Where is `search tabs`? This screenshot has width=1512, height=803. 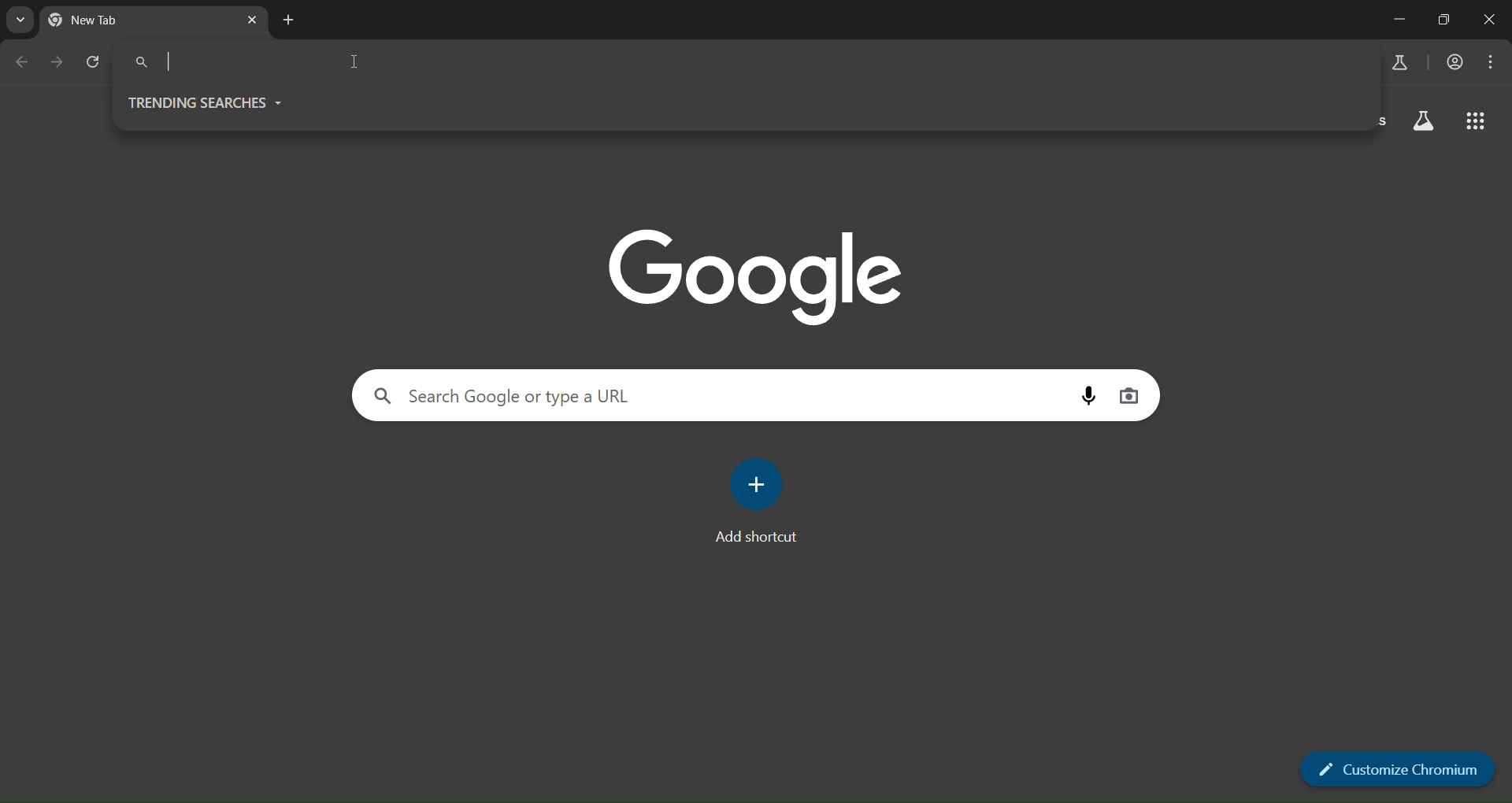 search tabs is located at coordinates (23, 20).